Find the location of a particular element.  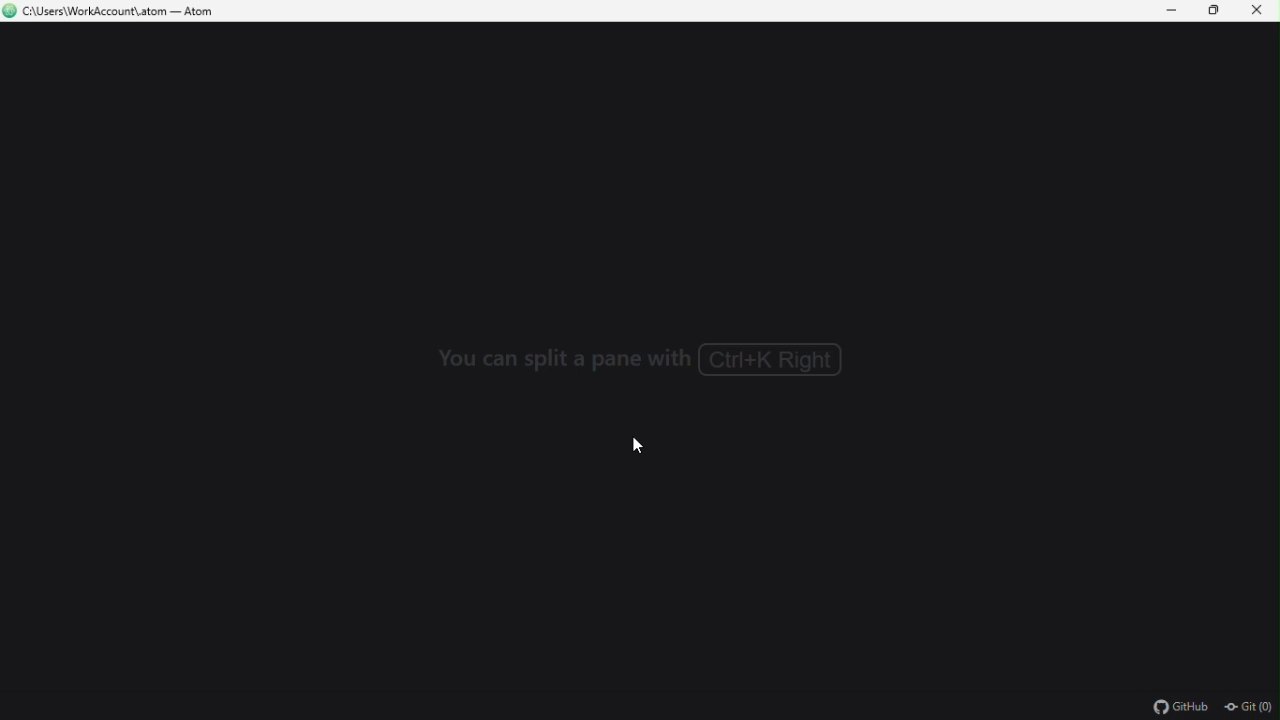

text is located at coordinates (647, 361).